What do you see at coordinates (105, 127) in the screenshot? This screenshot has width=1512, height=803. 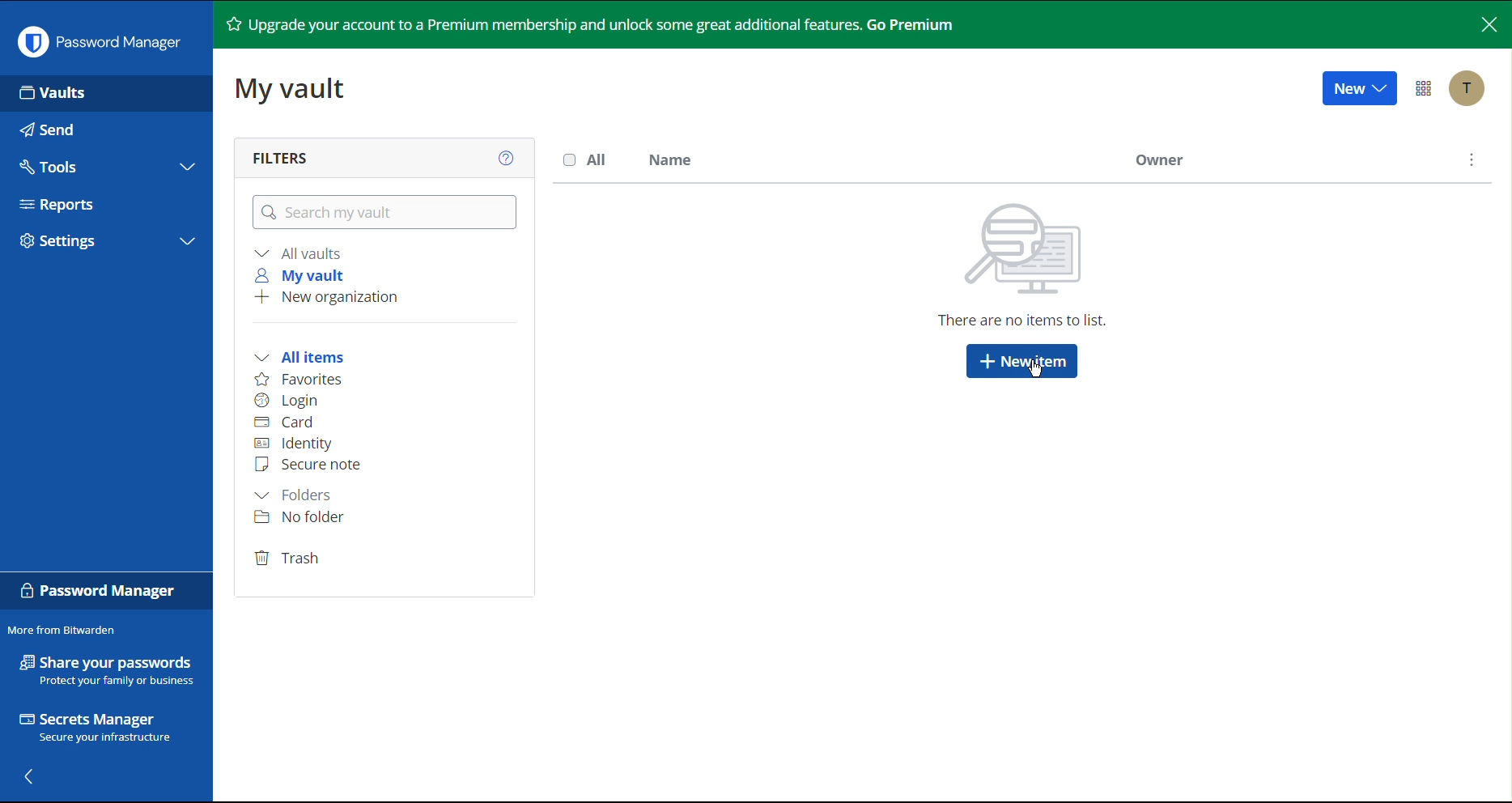 I see `Send` at bounding box center [105, 127].